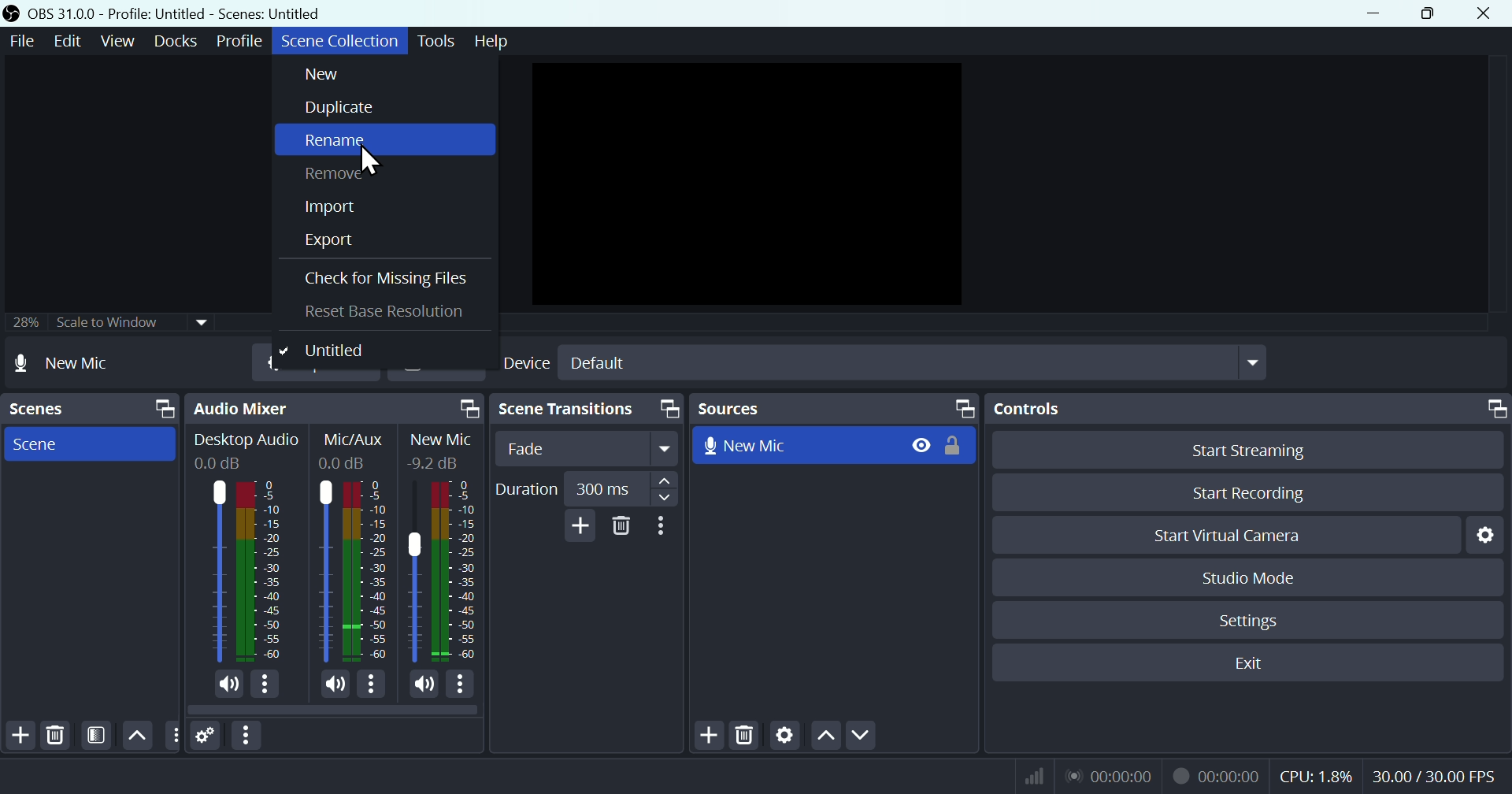 Image resolution: width=1512 pixels, height=794 pixels. Describe the element at coordinates (328, 73) in the screenshot. I see `New` at that location.